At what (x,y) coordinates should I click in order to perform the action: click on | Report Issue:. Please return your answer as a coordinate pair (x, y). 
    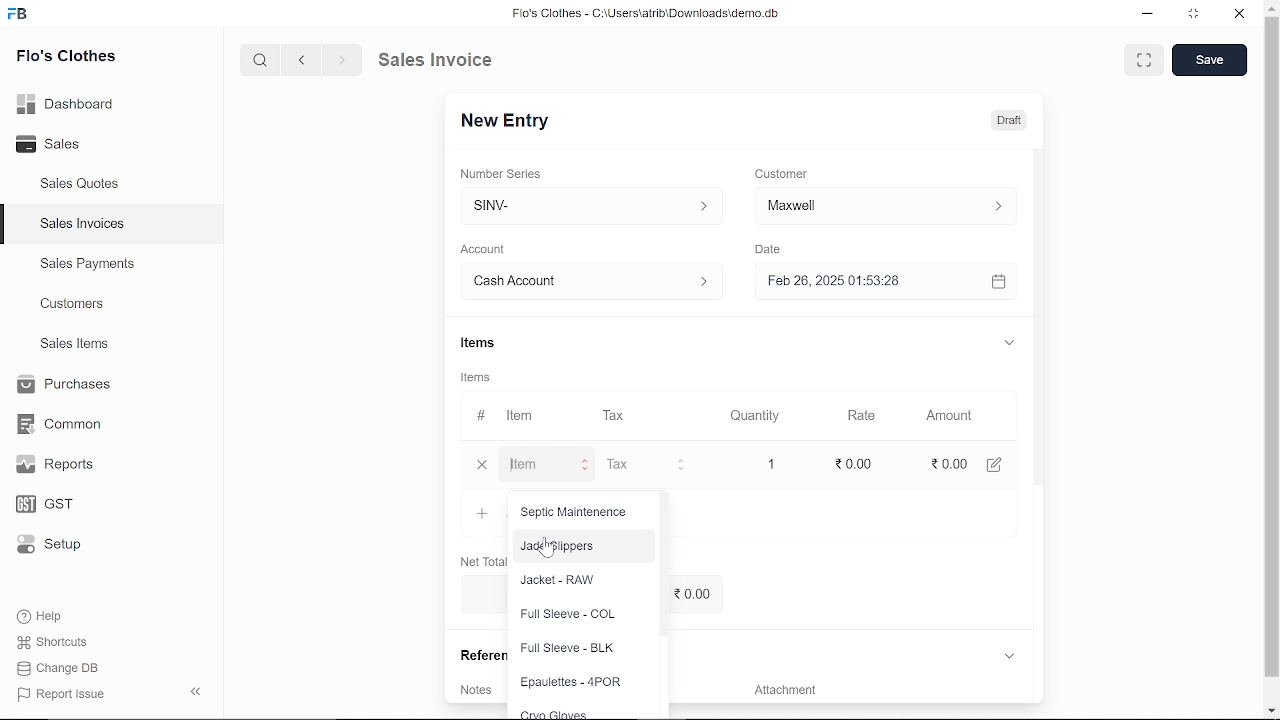
    Looking at the image, I should click on (64, 694).